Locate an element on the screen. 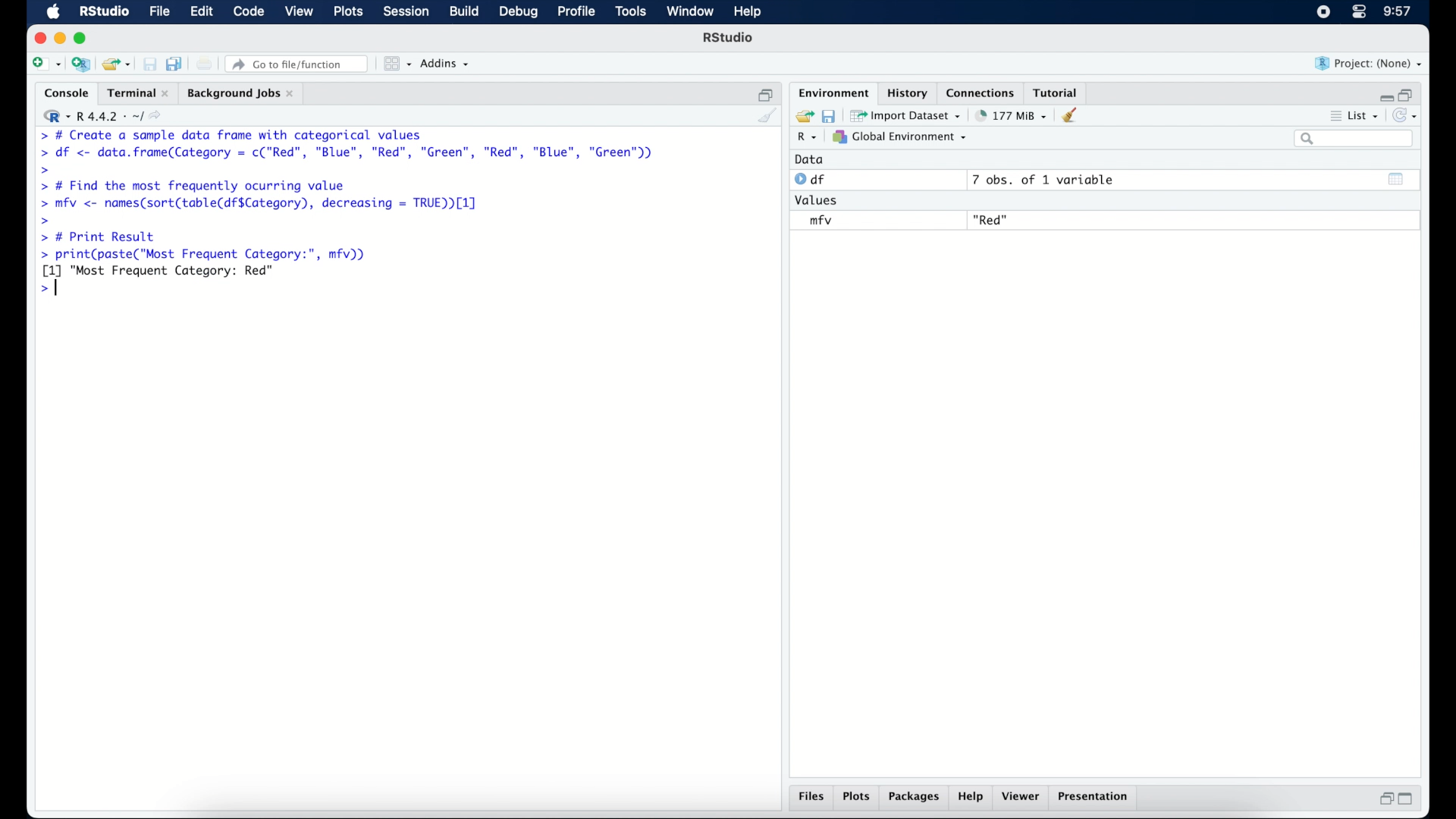 Image resolution: width=1456 pixels, height=819 pixels. save is located at coordinates (828, 116).